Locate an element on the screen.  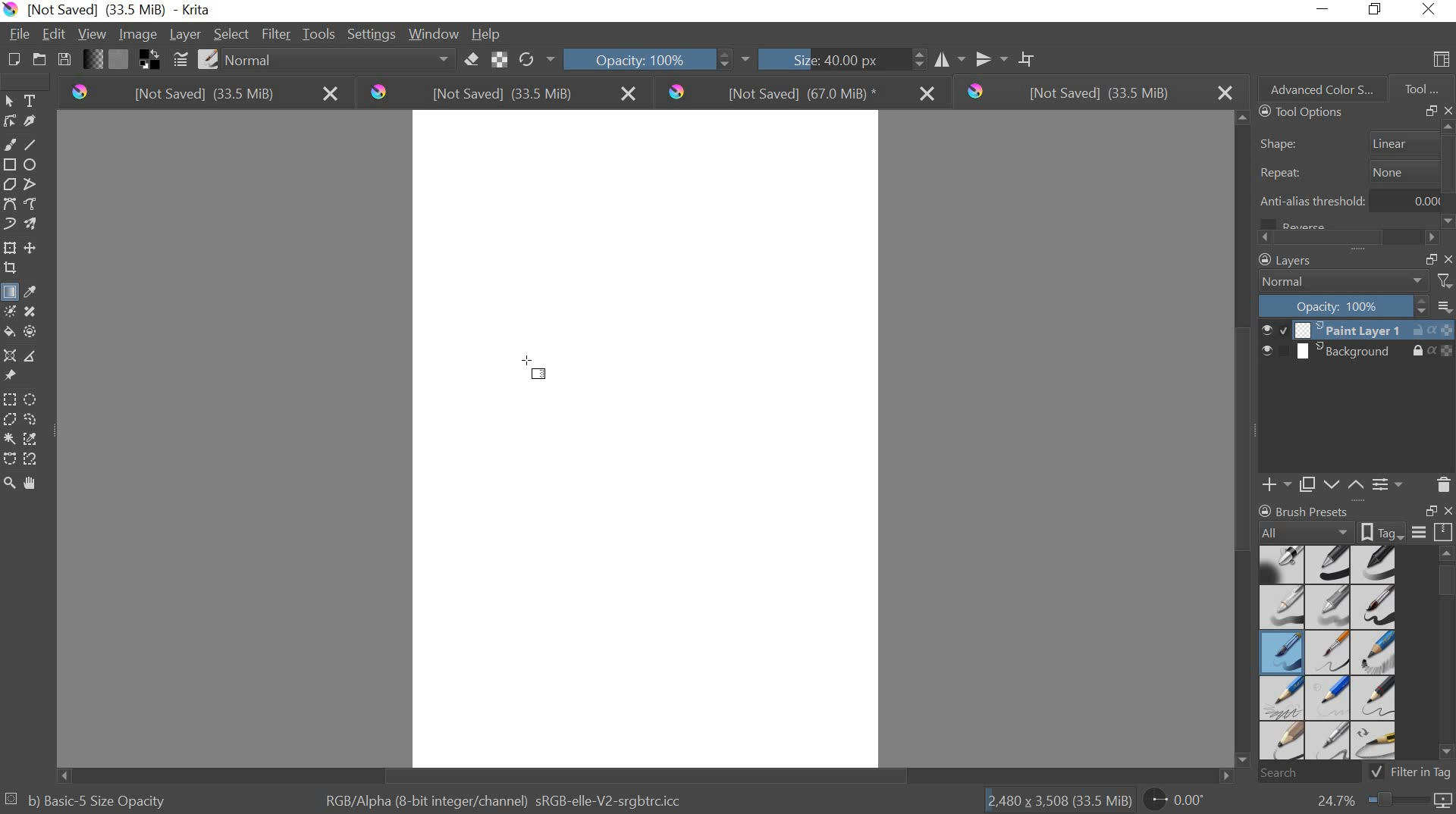
calligraphic tool is located at coordinates (33, 121).